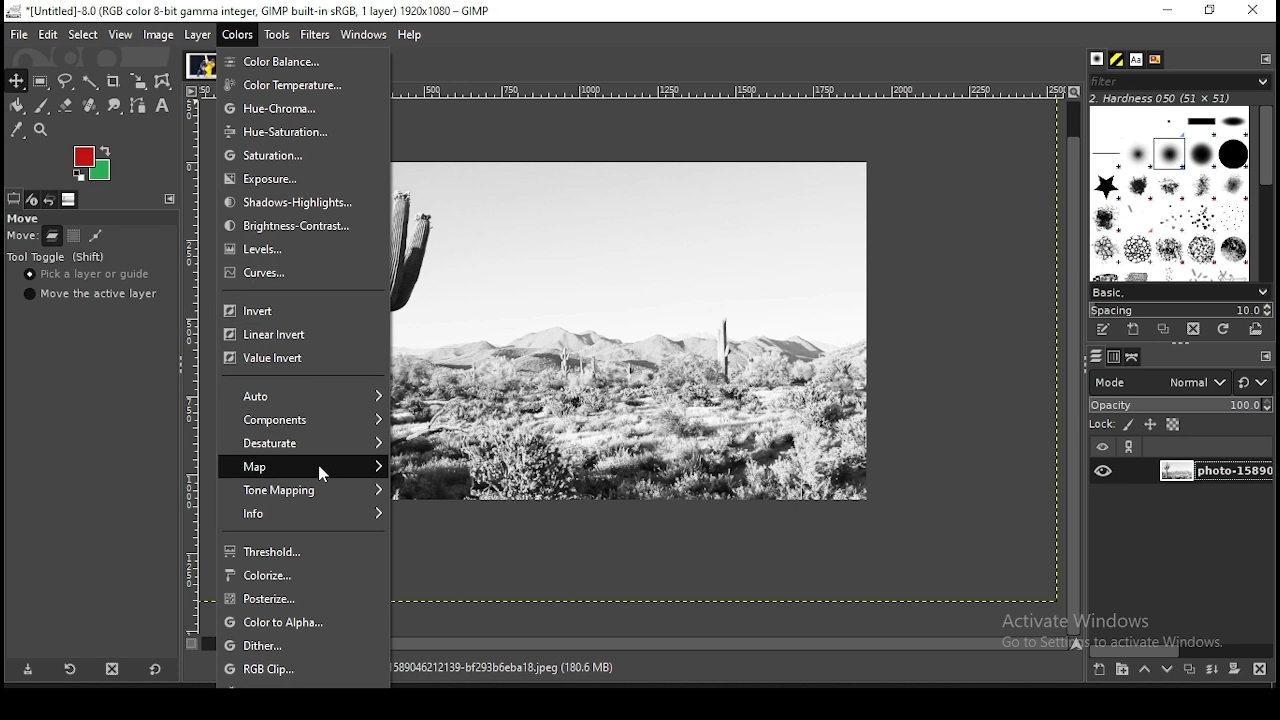 The width and height of the screenshot is (1280, 720). What do you see at coordinates (154, 669) in the screenshot?
I see `reset to defaults` at bounding box center [154, 669].